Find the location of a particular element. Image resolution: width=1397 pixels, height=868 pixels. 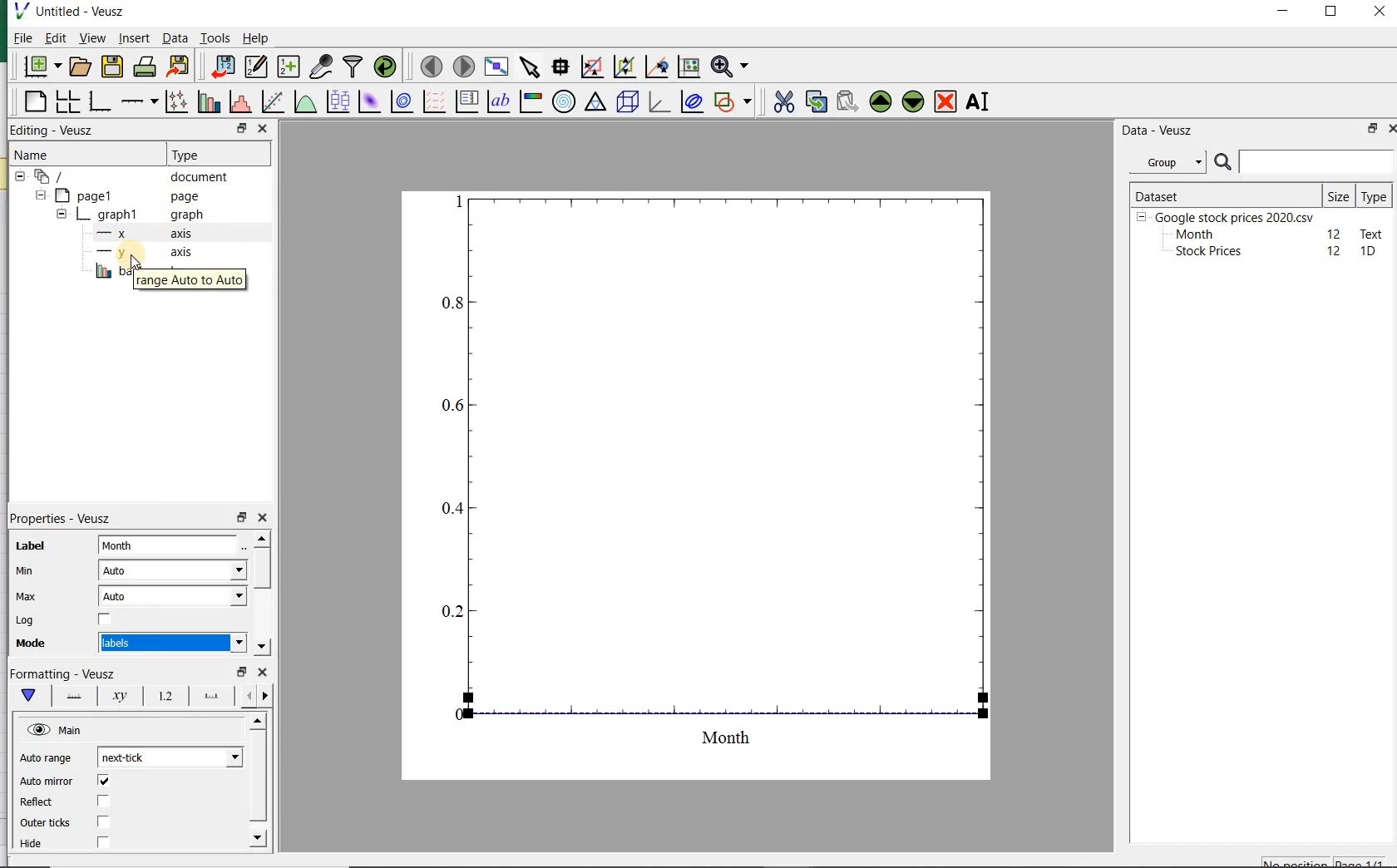

reload linked datasets is located at coordinates (388, 67).